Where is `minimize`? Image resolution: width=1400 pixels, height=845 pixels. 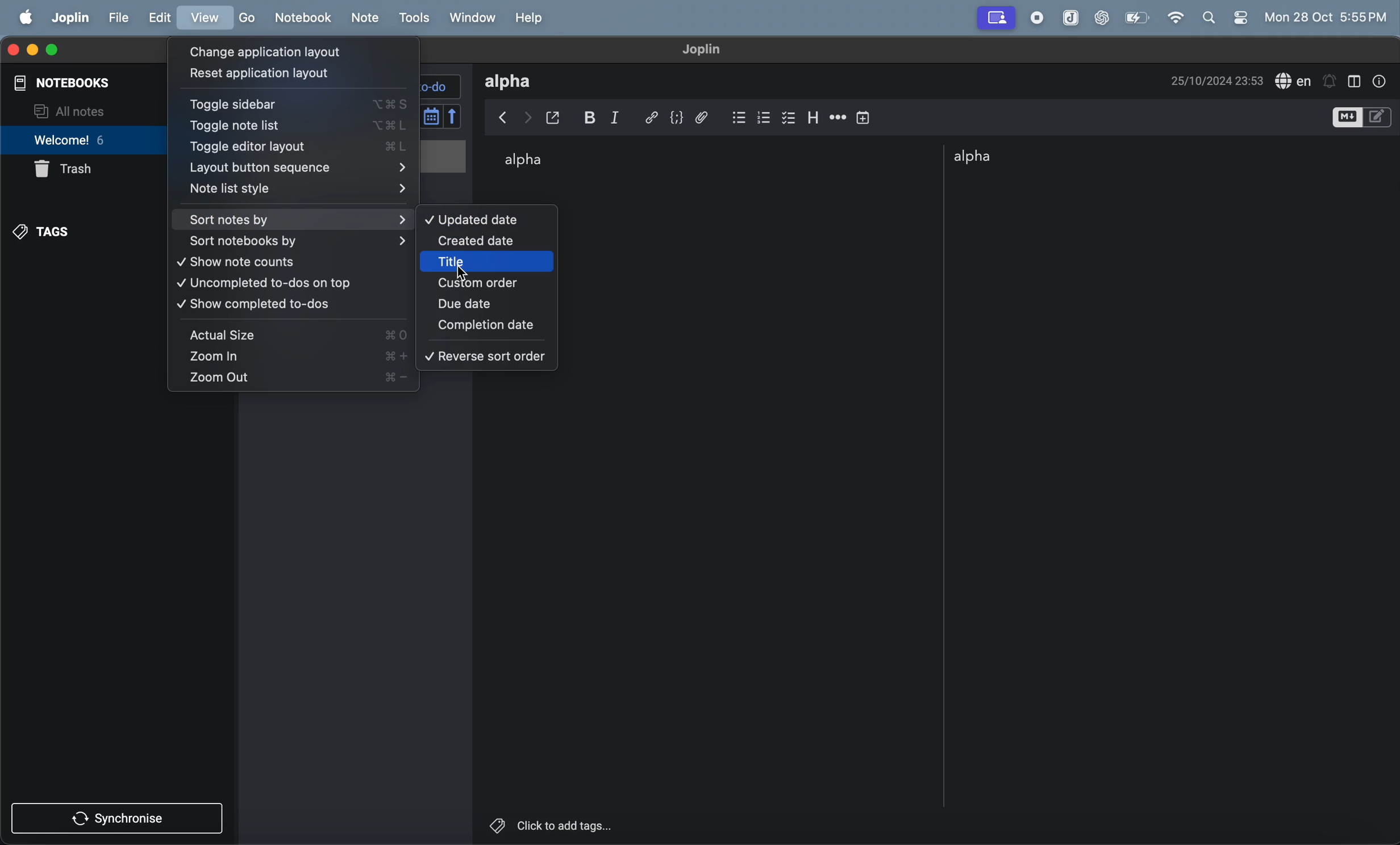 minimize is located at coordinates (33, 49).